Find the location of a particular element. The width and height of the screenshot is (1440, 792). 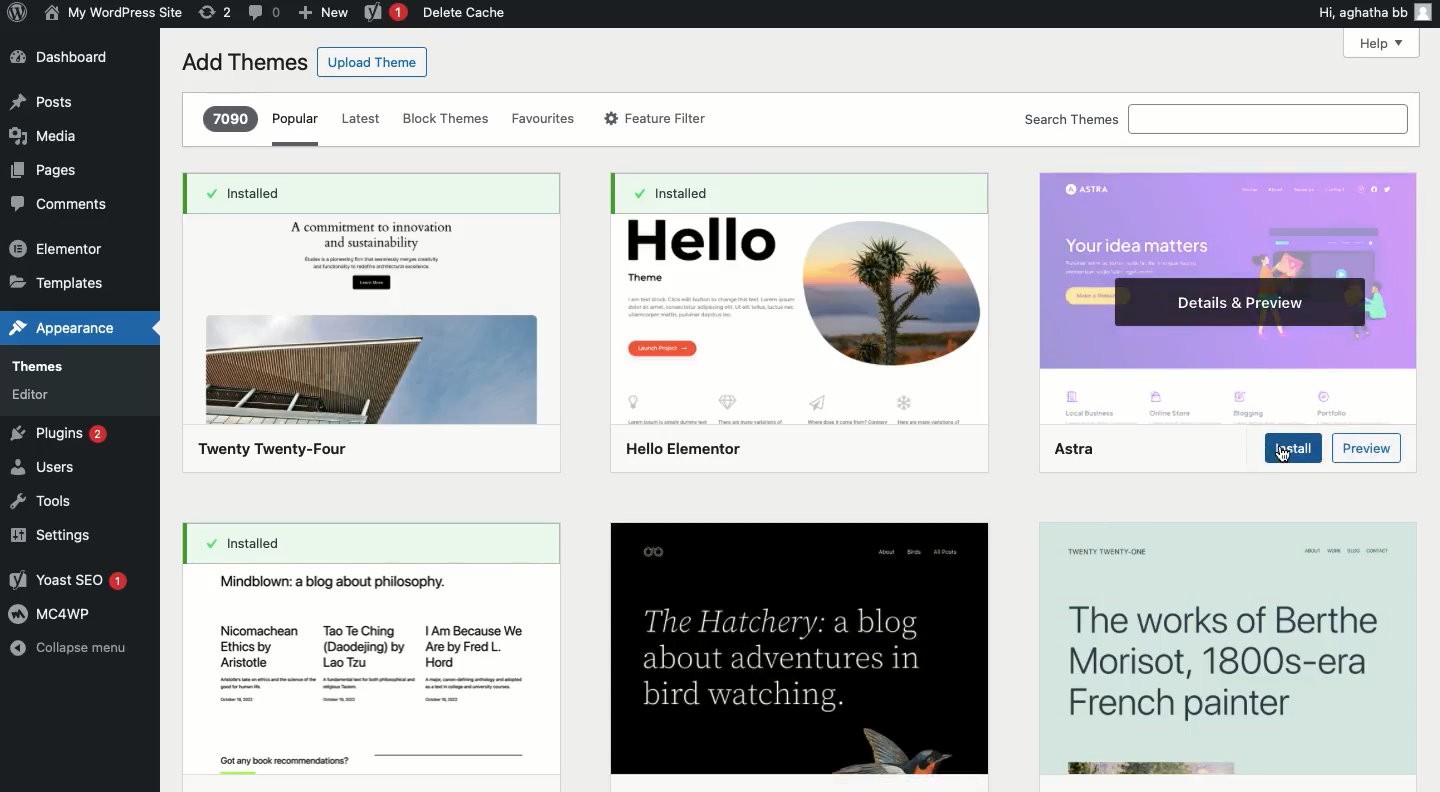

Users is located at coordinates (44, 469).